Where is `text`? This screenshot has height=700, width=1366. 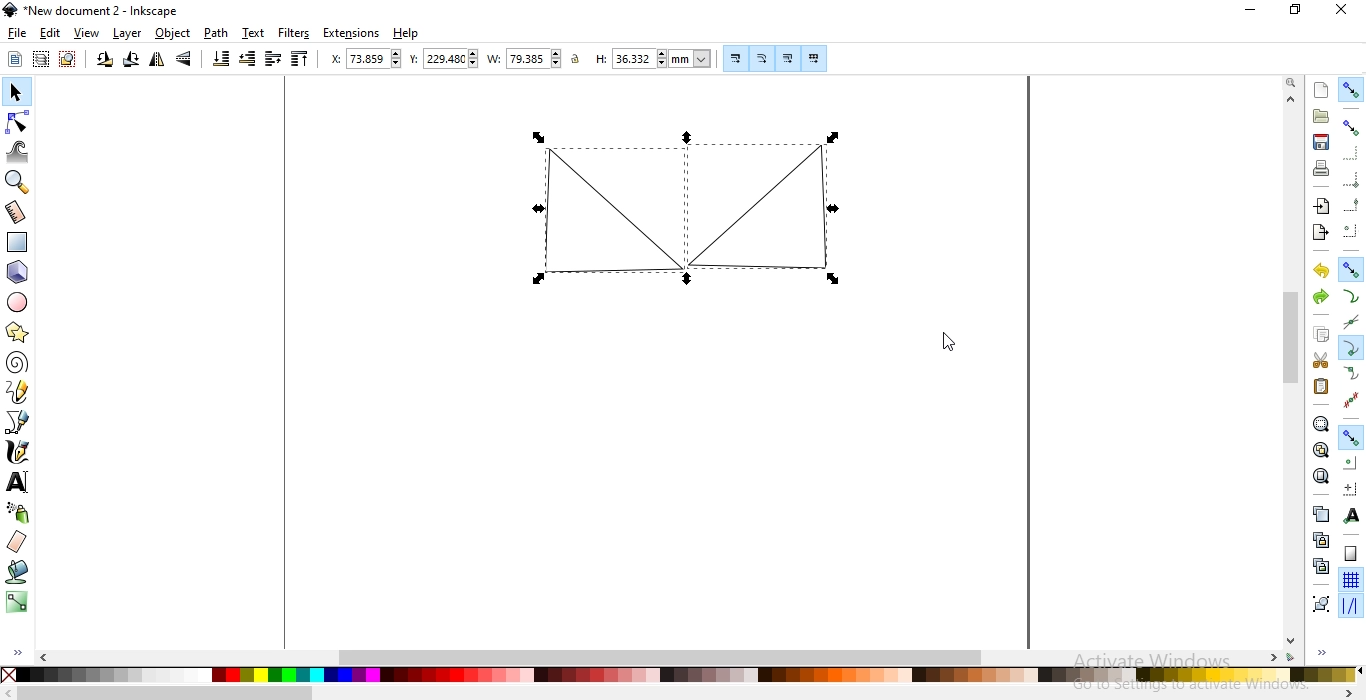
text is located at coordinates (254, 33).